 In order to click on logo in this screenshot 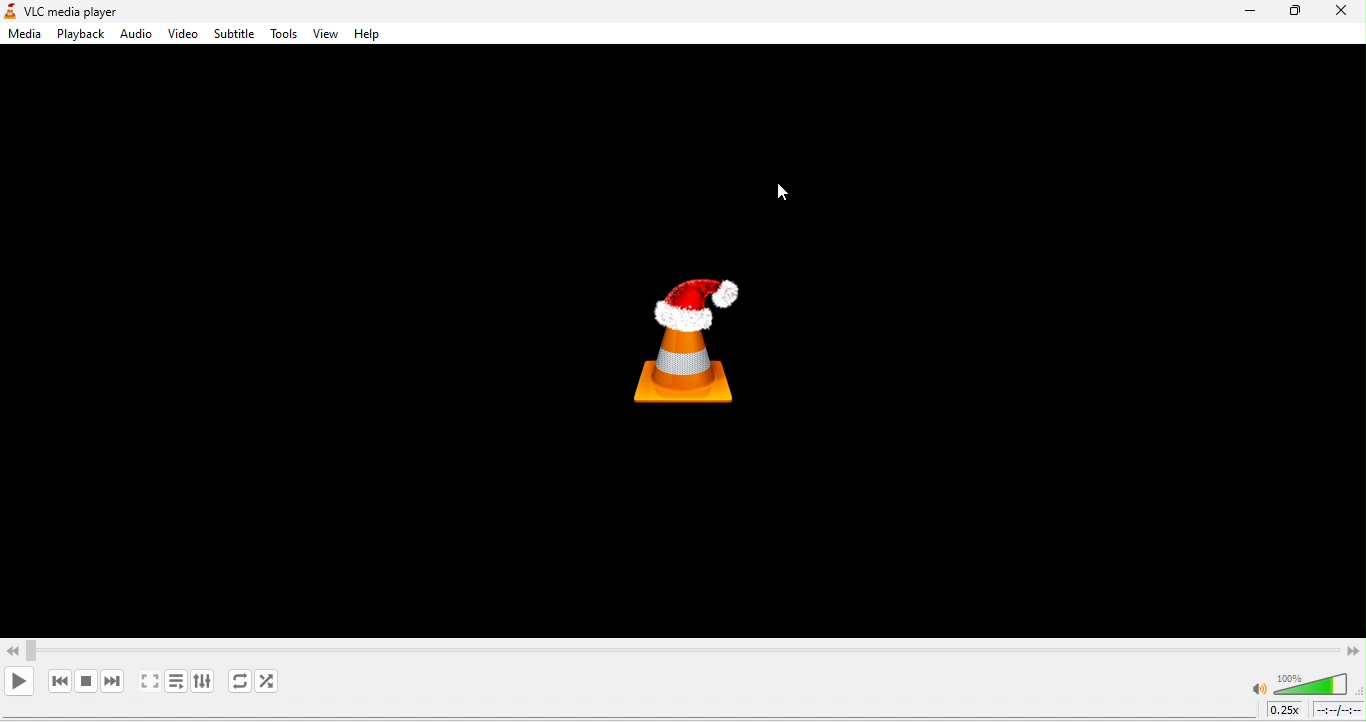, I will do `click(9, 12)`.